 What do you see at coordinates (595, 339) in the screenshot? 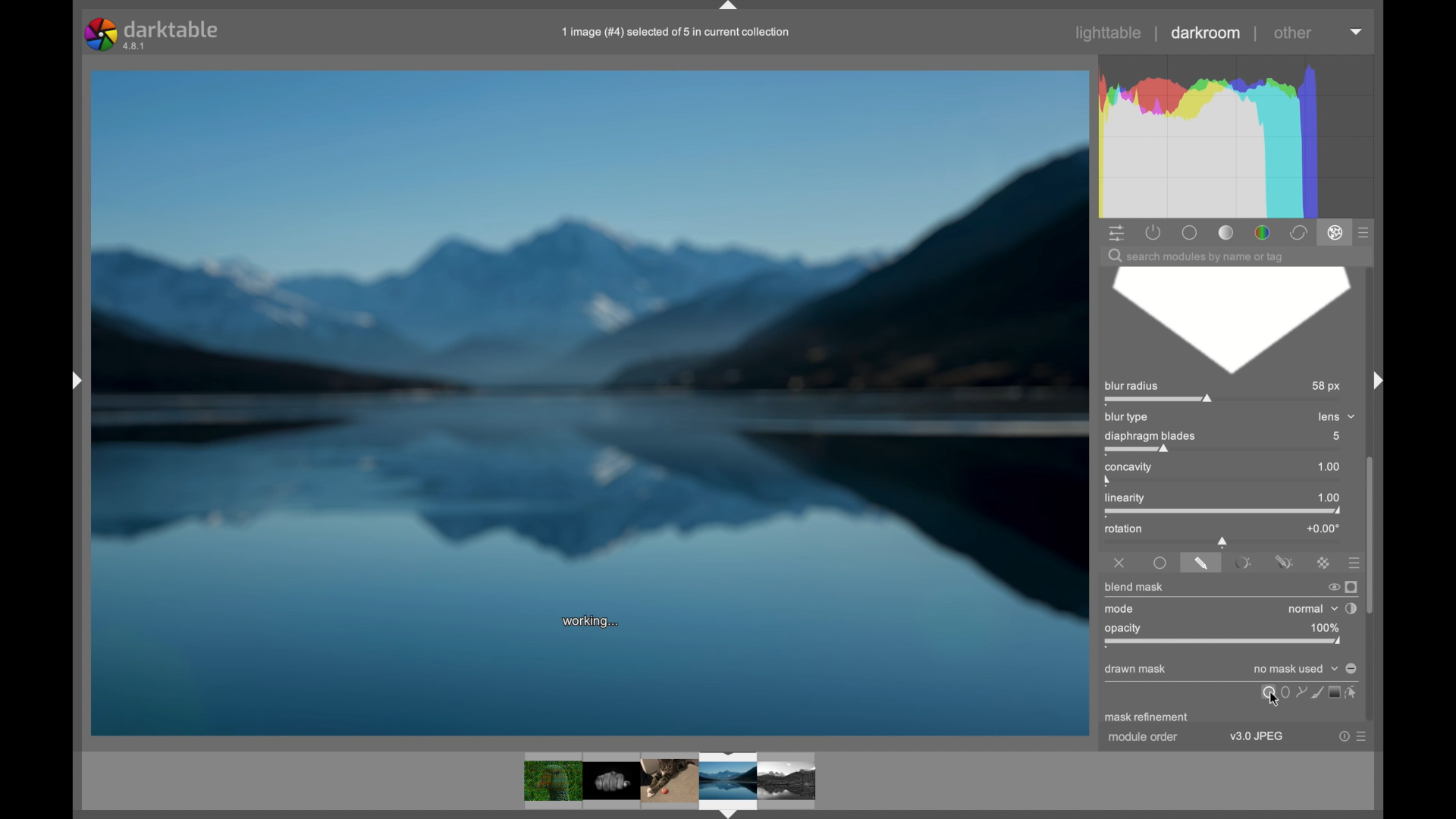
I see `photo blurred` at bounding box center [595, 339].